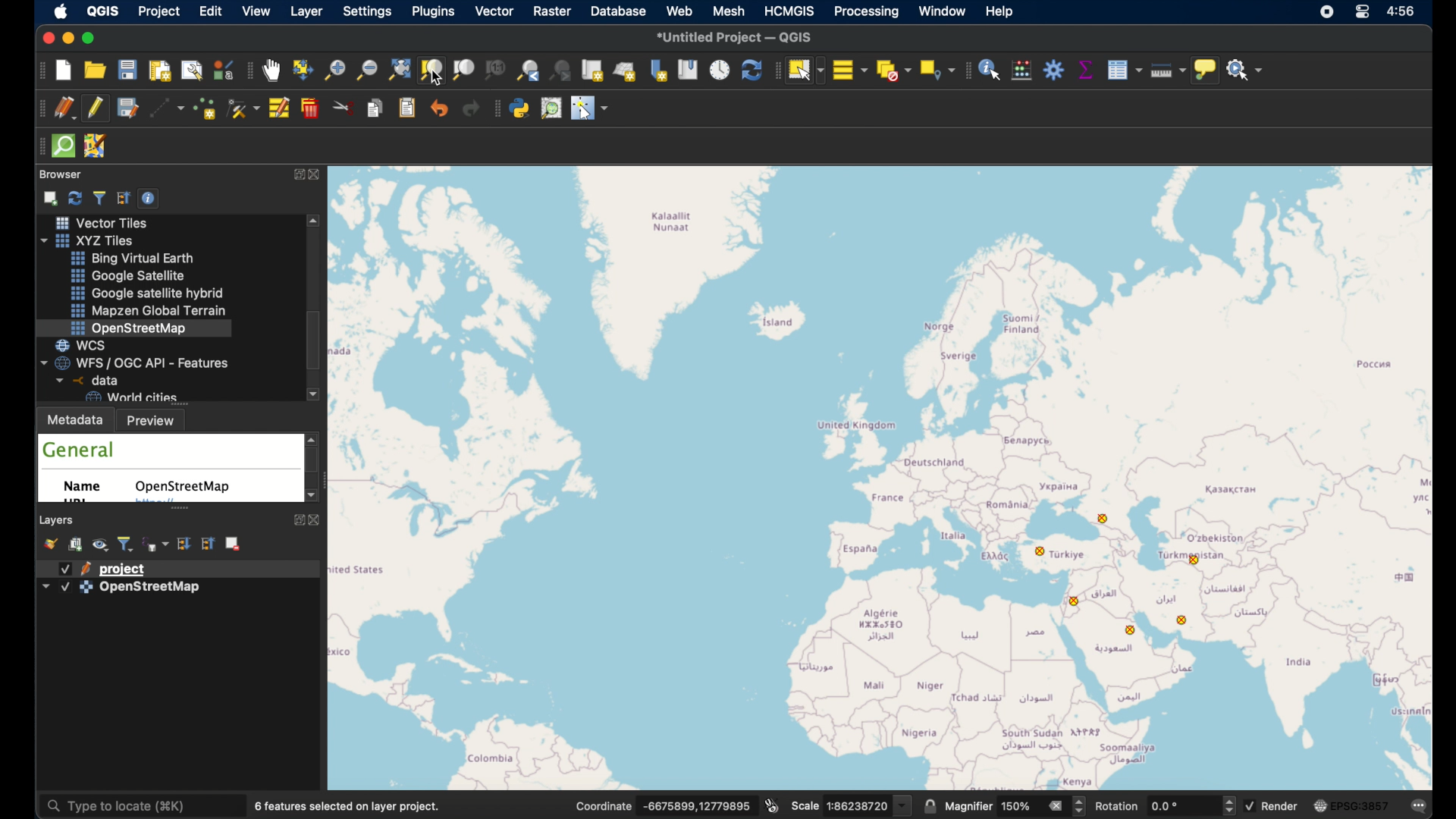  What do you see at coordinates (1205, 71) in the screenshot?
I see `show map tips` at bounding box center [1205, 71].